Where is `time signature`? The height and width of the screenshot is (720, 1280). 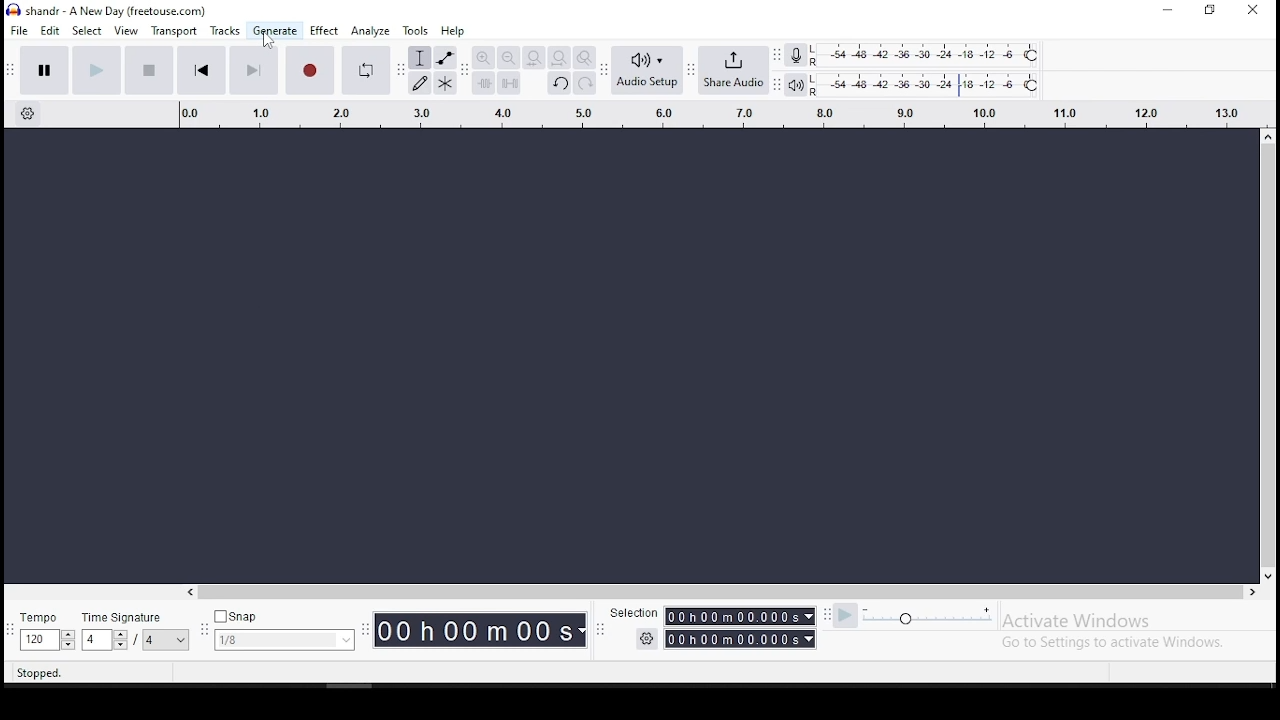 time signature is located at coordinates (135, 627).